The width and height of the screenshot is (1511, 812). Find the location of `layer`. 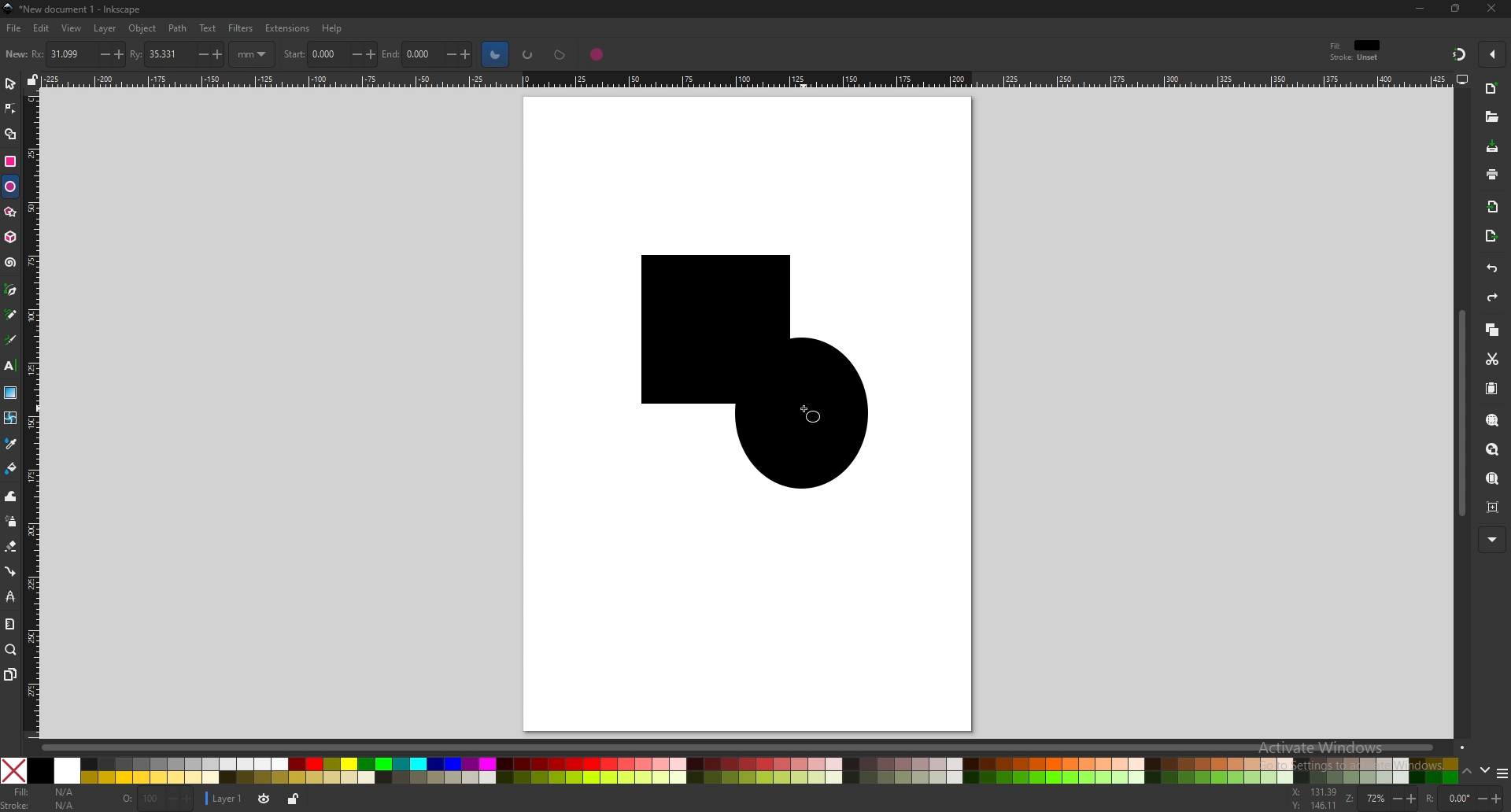

layer is located at coordinates (106, 29).